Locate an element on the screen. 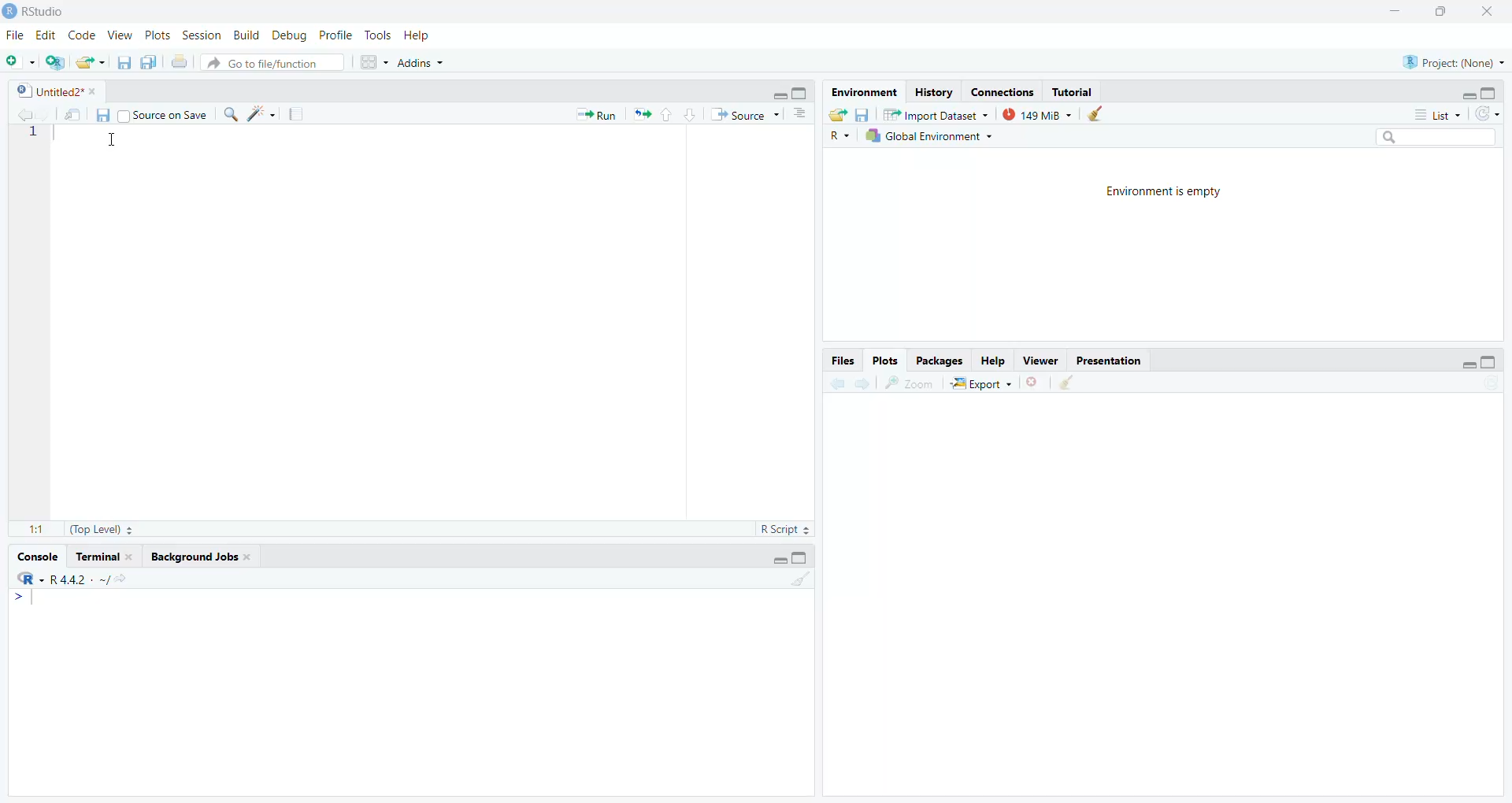 The width and height of the screenshot is (1512, 803). R is located at coordinates (842, 135).